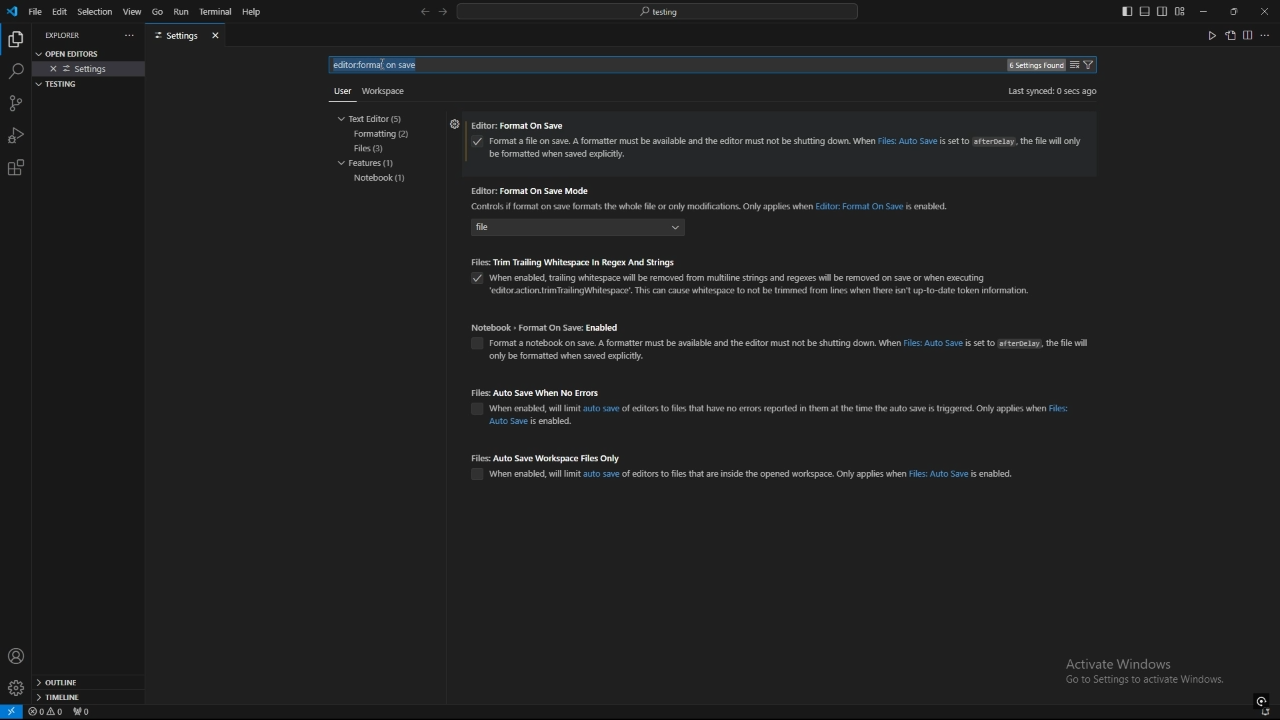 This screenshot has width=1280, height=720. What do you see at coordinates (132, 12) in the screenshot?
I see `view` at bounding box center [132, 12].